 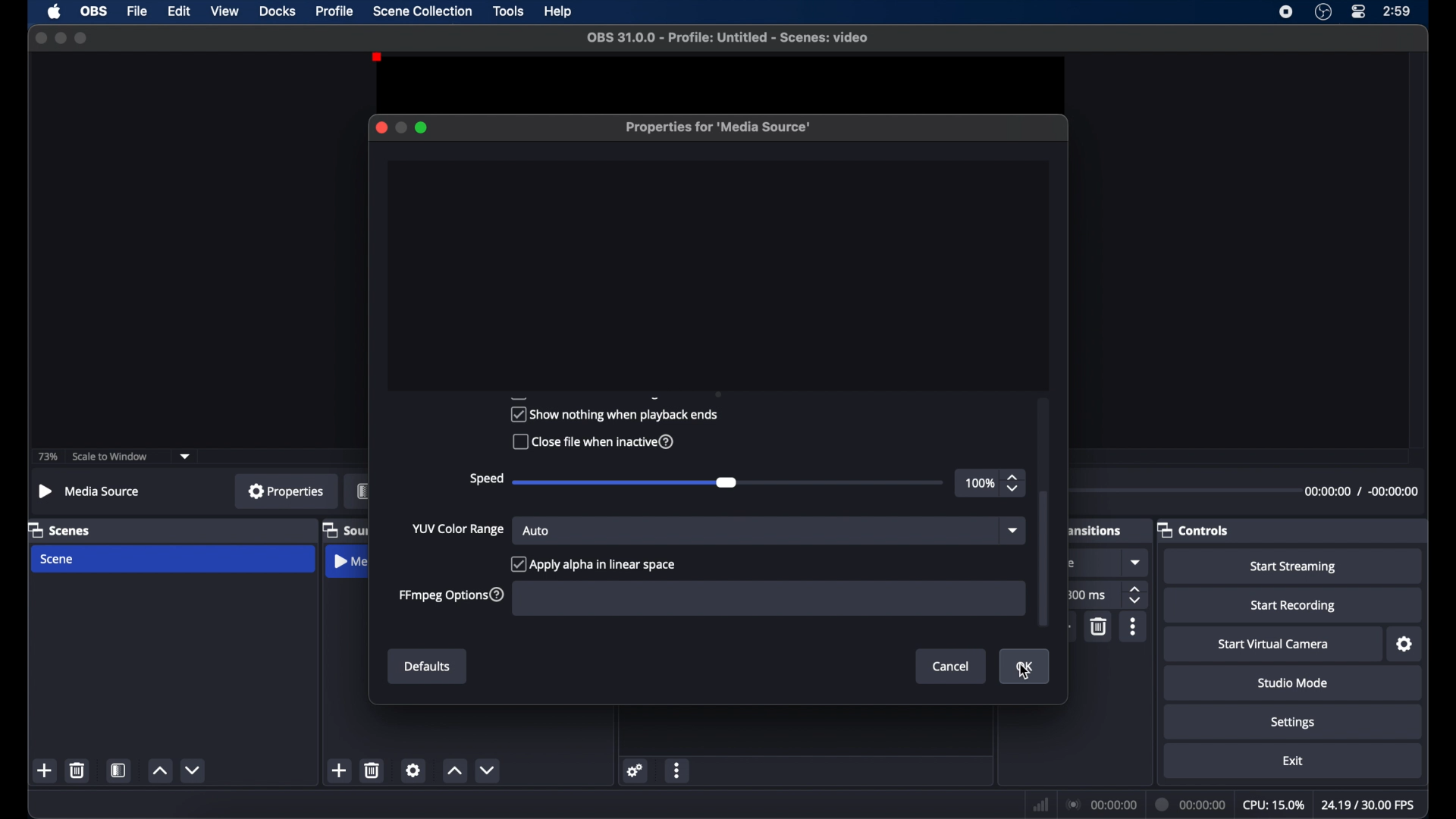 I want to click on timestamp, so click(x=1363, y=491).